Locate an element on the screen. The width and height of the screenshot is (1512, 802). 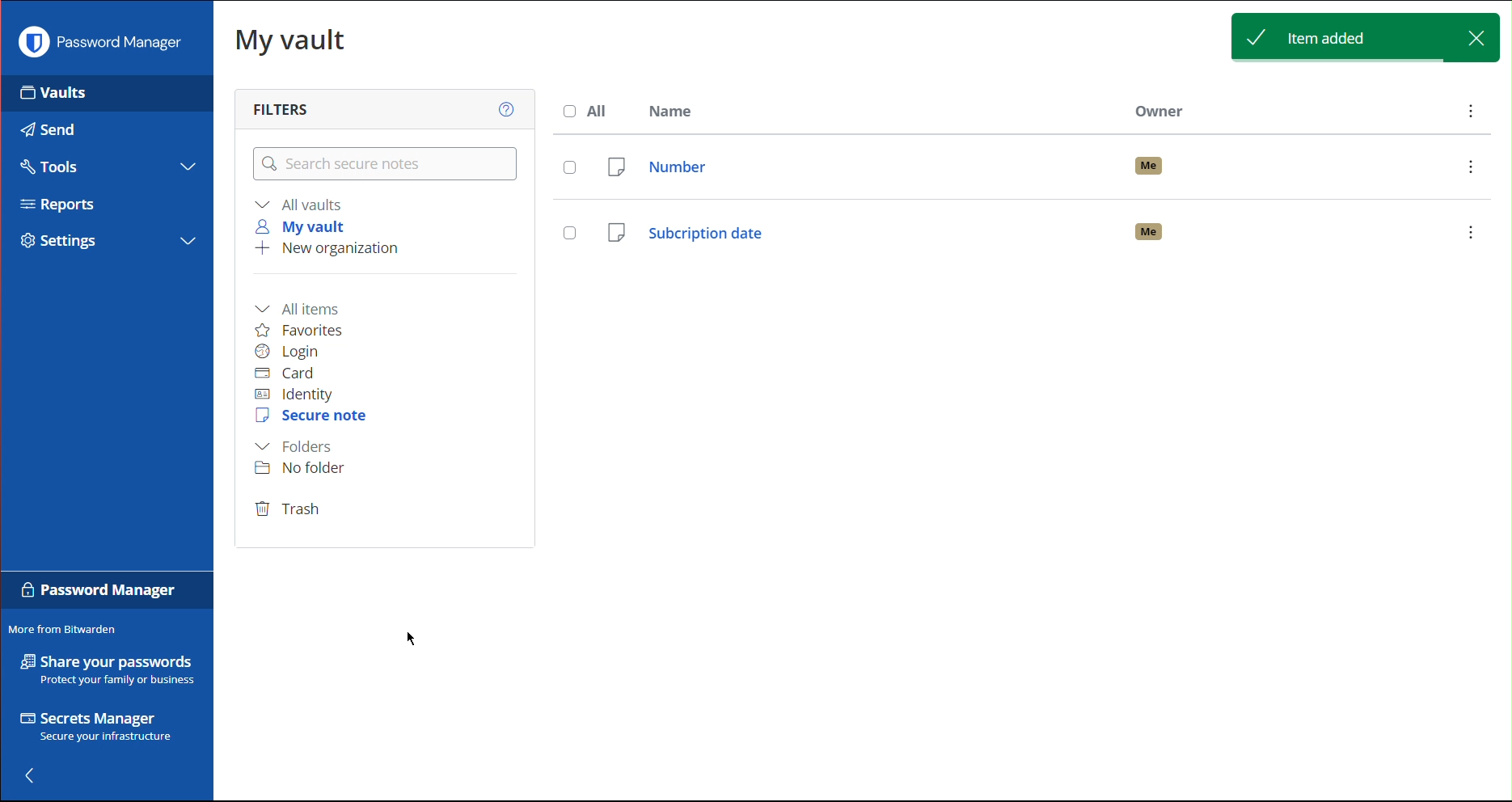
Subscription date is located at coordinates (1026, 229).